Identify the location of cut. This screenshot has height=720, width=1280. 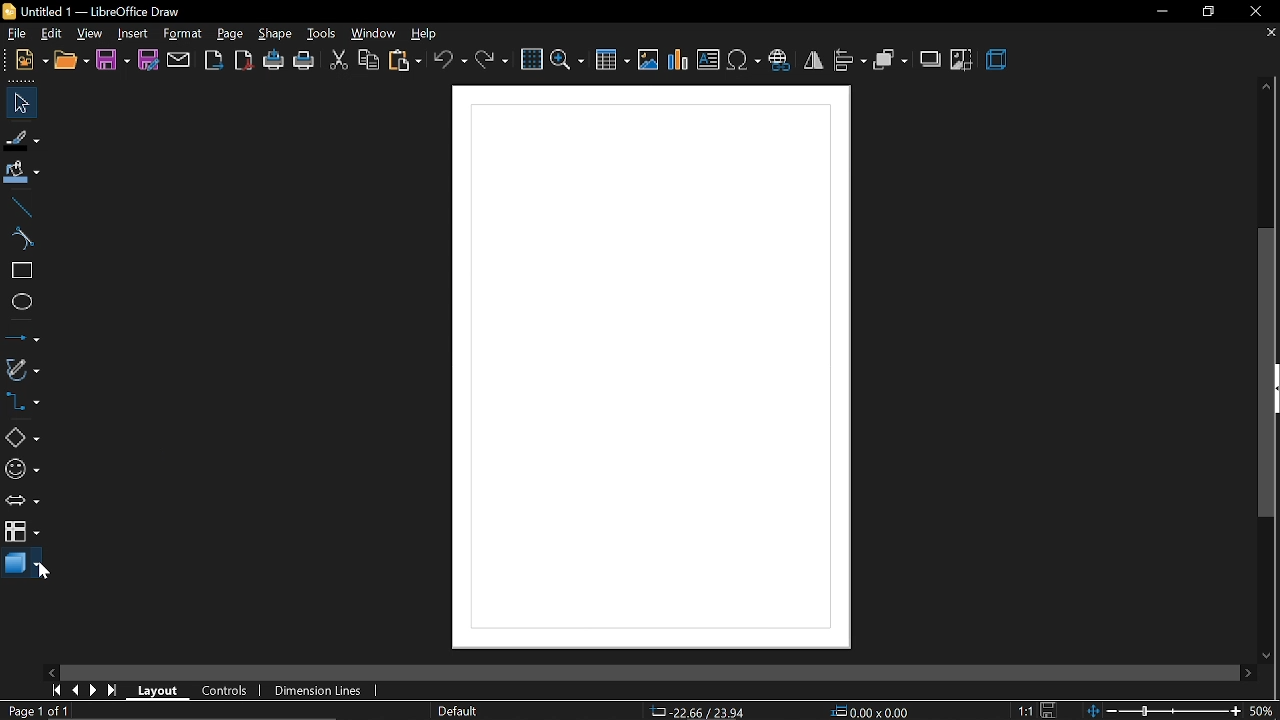
(338, 58).